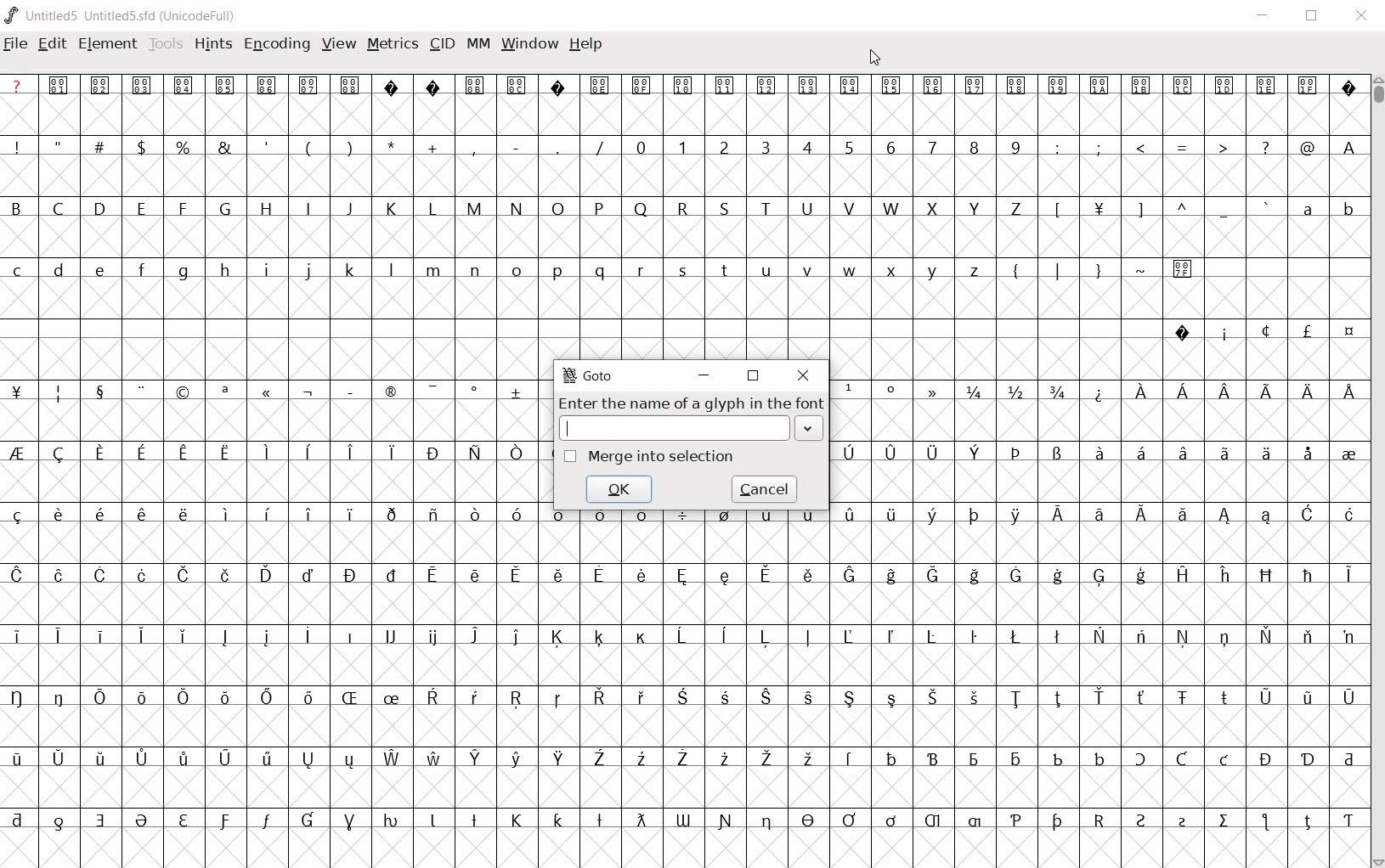  What do you see at coordinates (60, 210) in the screenshot?
I see `C` at bounding box center [60, 210].